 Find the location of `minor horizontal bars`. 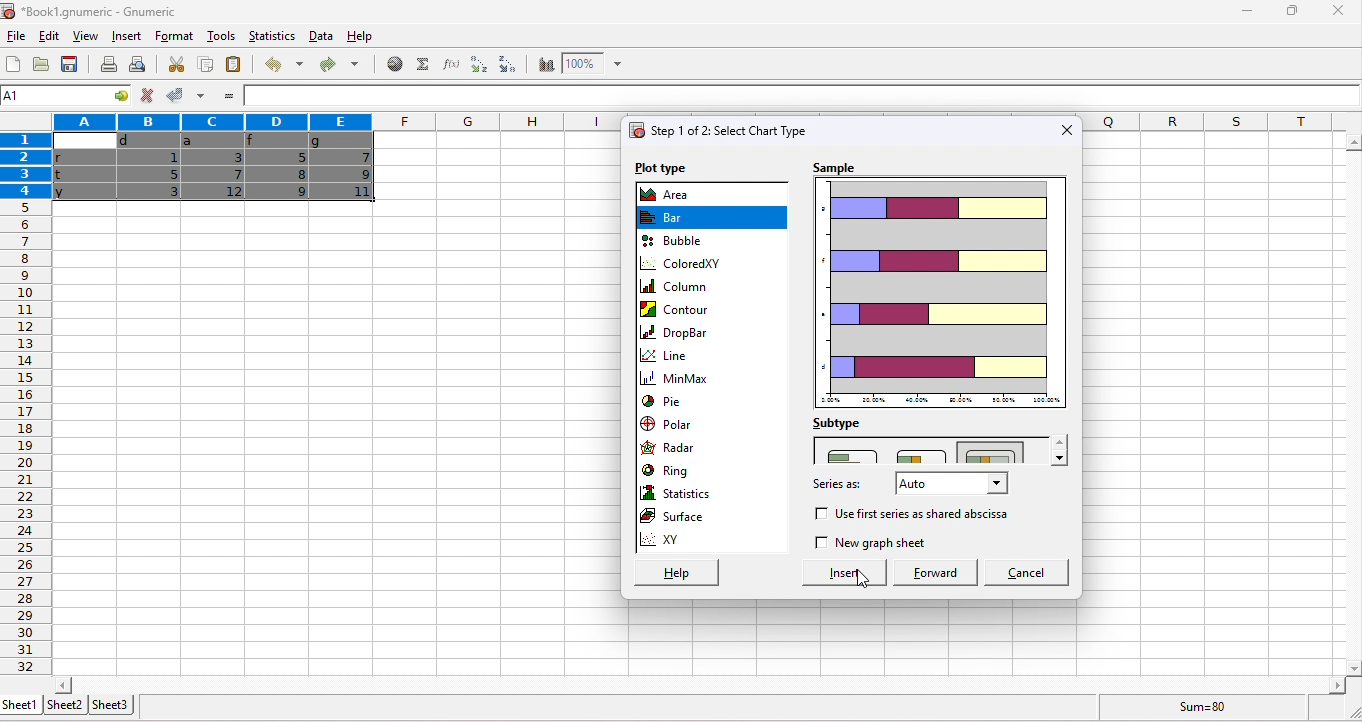

minor horizontal bars is located at coordinates (918, 455).